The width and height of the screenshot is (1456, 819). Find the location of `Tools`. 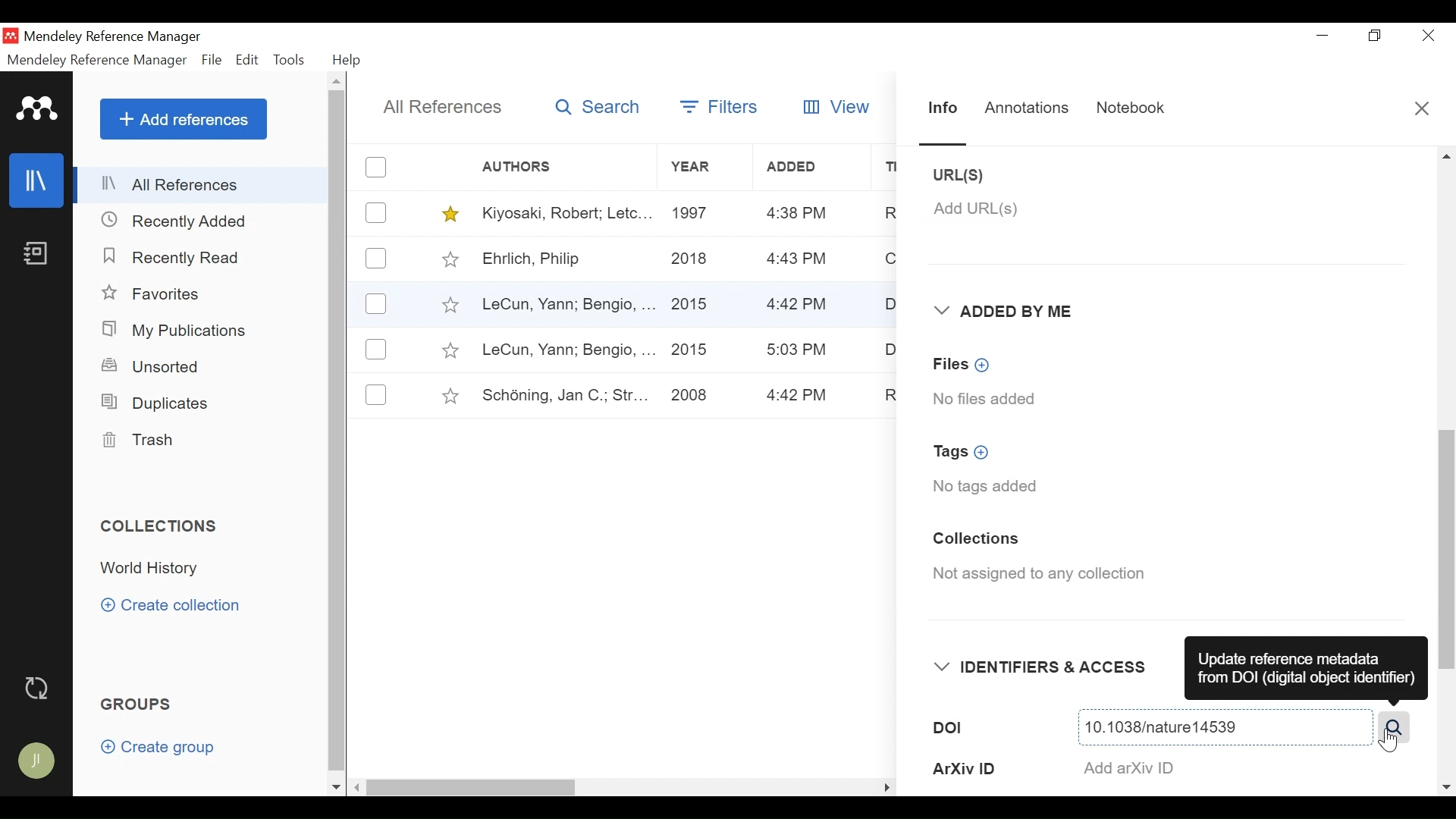

Tools is located at coordinates (293, 60).